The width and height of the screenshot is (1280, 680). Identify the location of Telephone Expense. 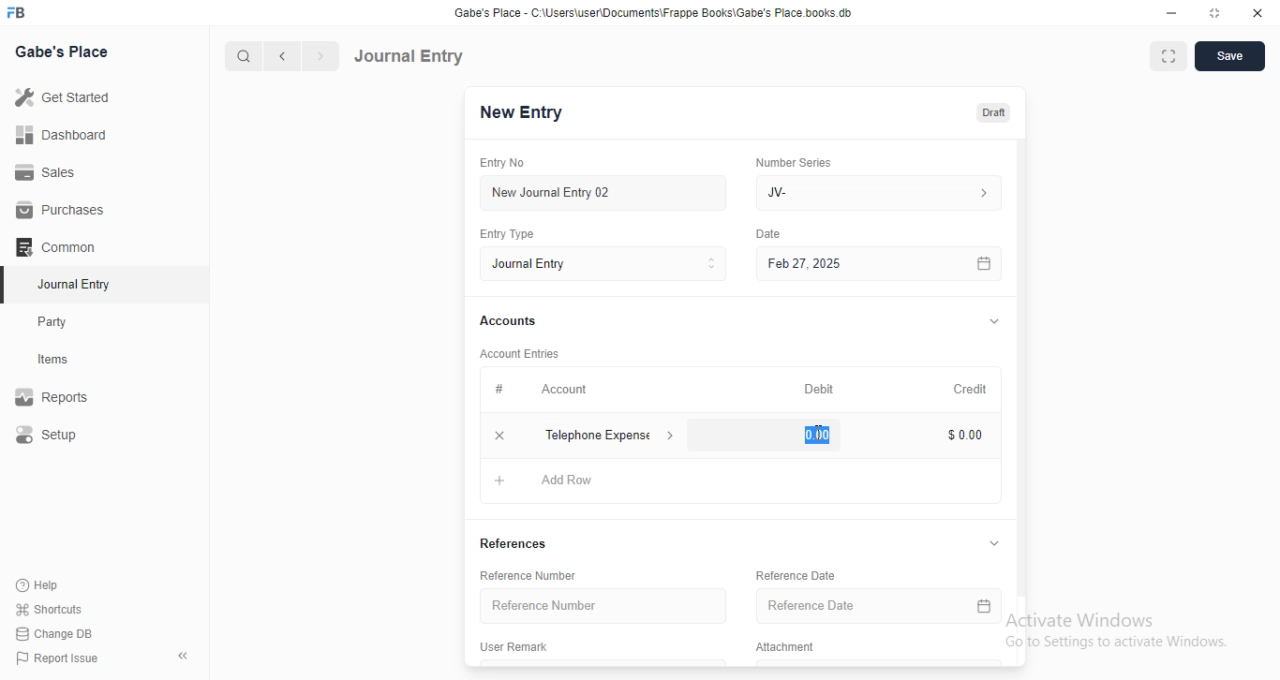
(611, 433).